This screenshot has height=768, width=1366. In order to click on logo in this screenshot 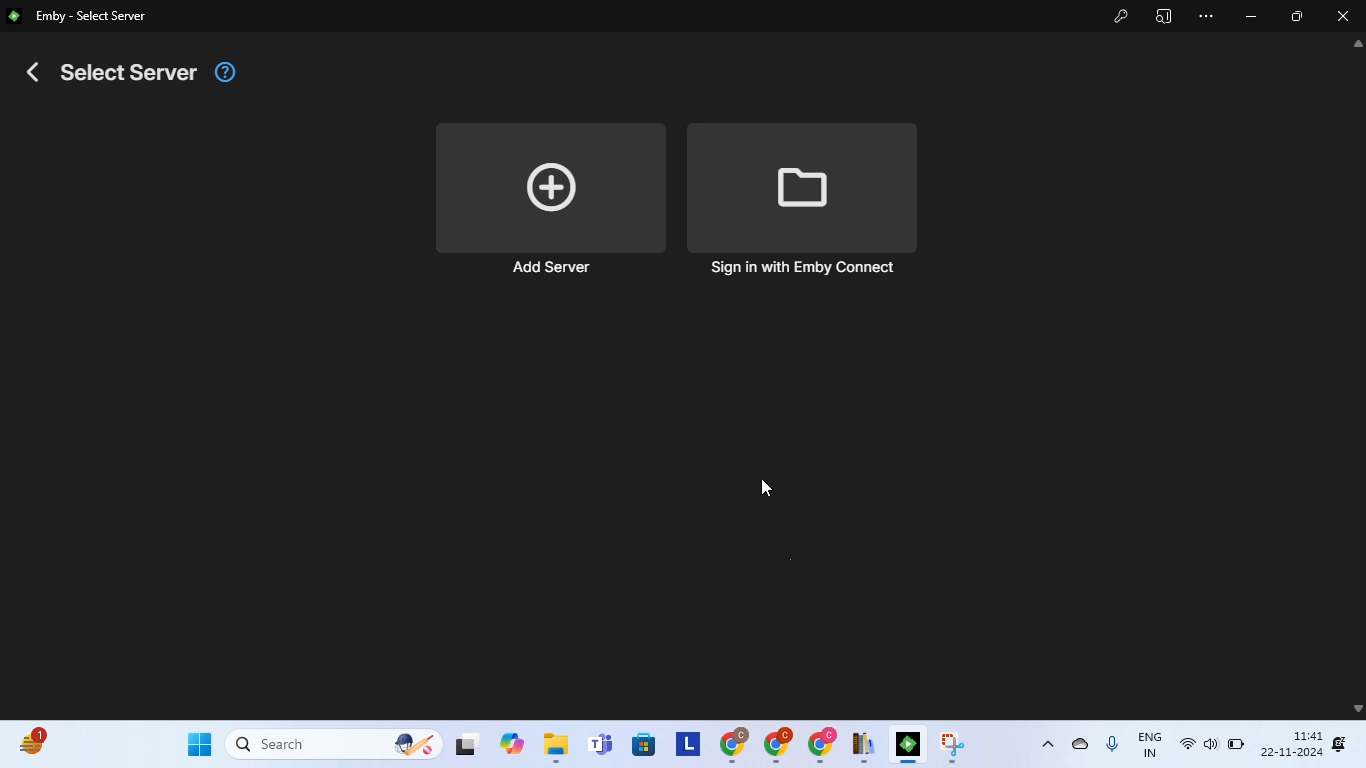, I will do `click(15, 15)`.